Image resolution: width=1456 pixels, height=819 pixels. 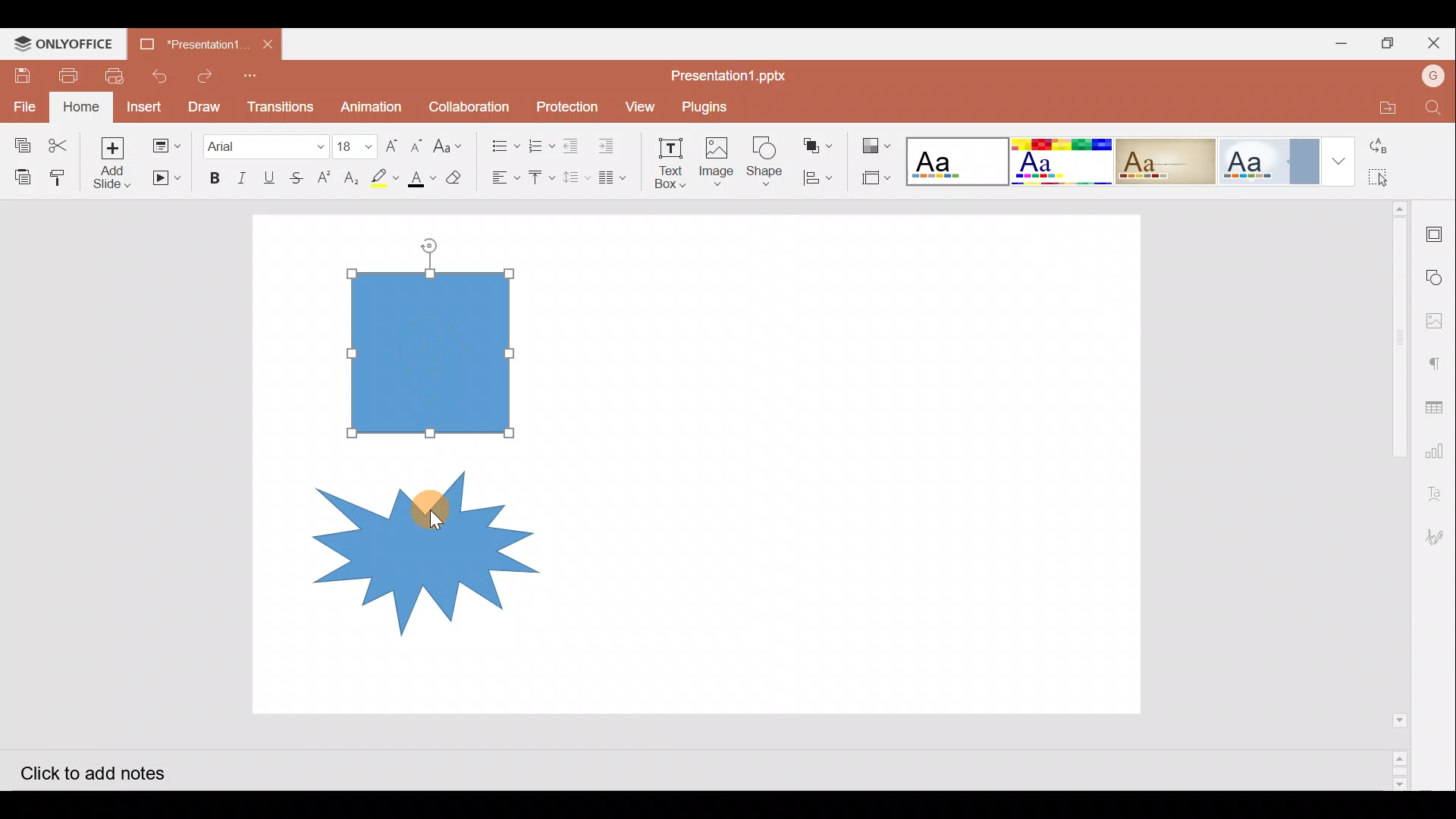 What do you see at coordinates (268, 45) in the screenshot?
I see `Close document` at bounding box center [268, 45].